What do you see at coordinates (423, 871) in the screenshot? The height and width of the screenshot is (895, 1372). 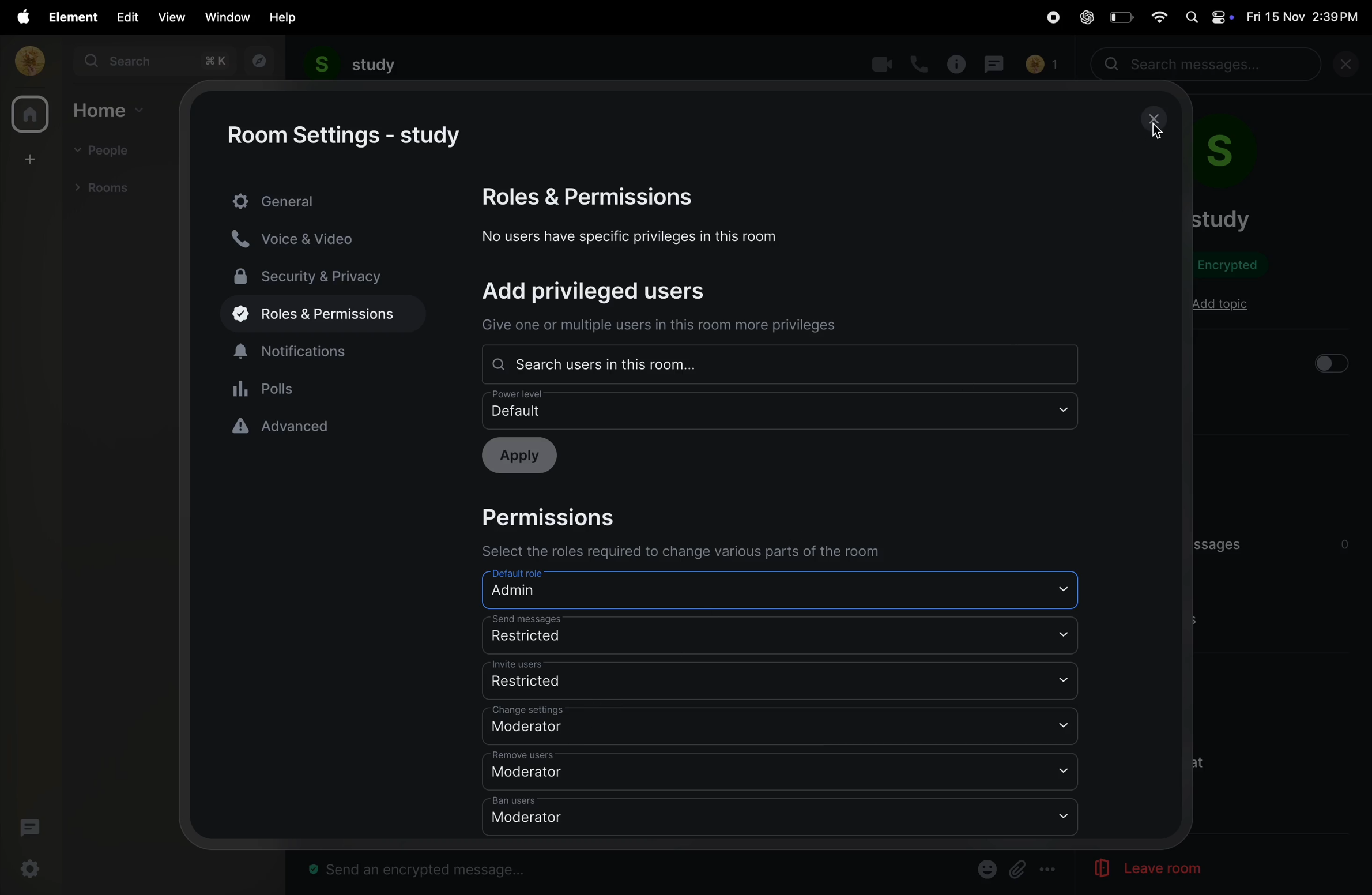 I see `message bar` at bounding box center [423, 871].